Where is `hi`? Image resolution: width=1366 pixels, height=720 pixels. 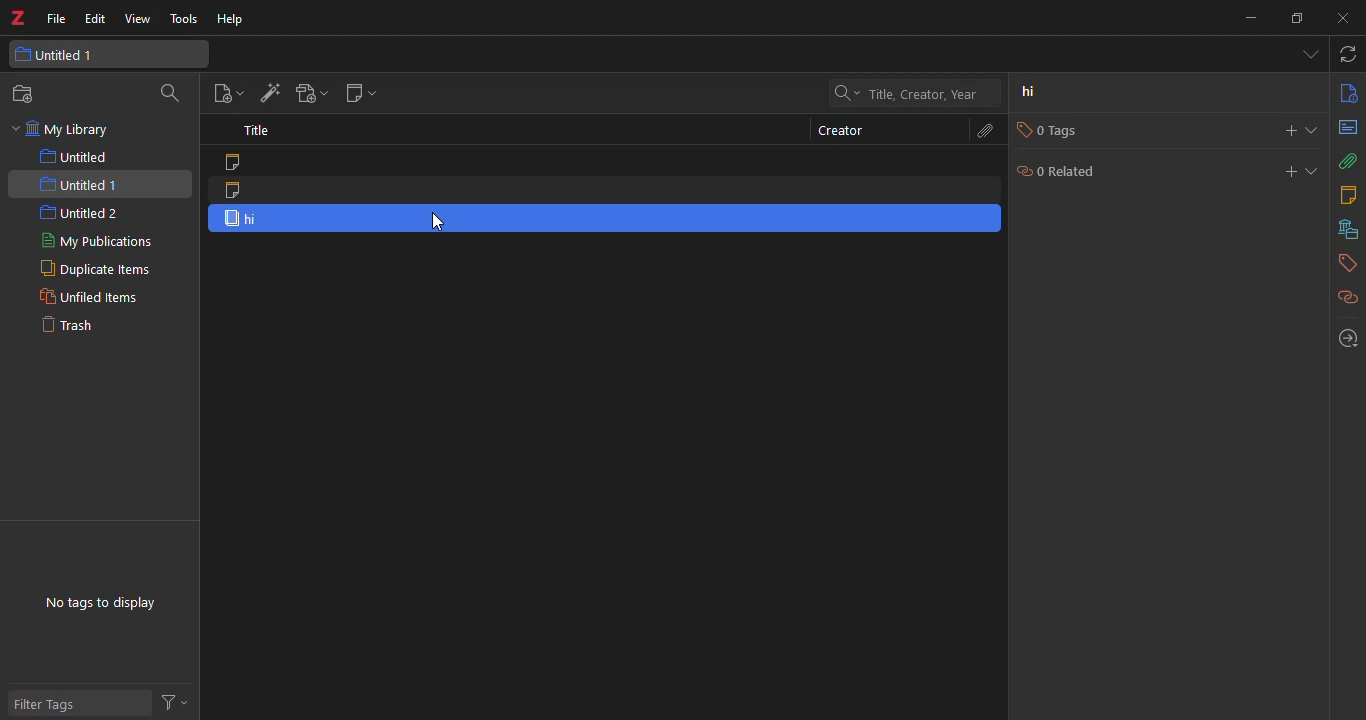 hi is located at coordinates (1046, 93).